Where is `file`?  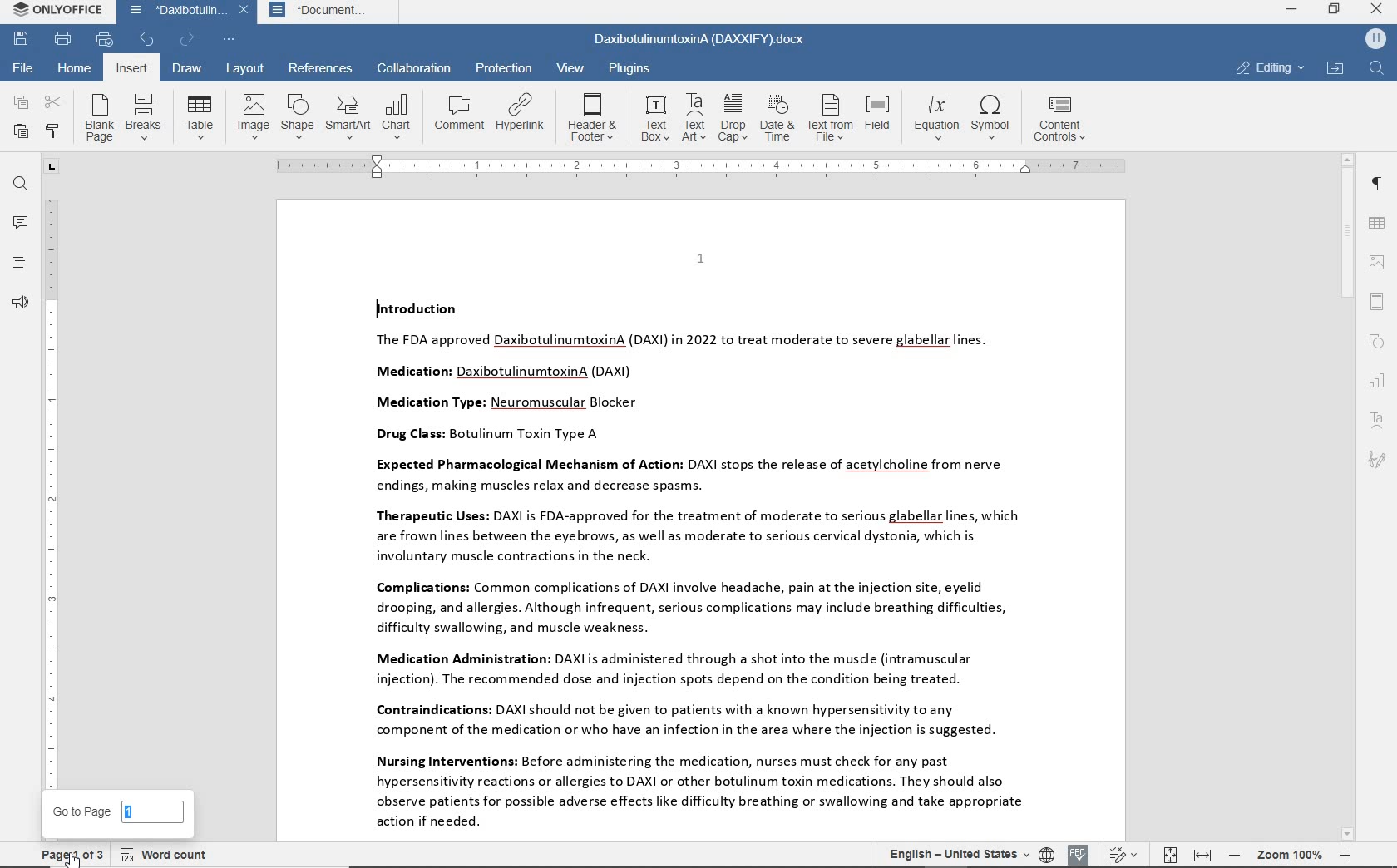 file is located at coordinates (25, 67).